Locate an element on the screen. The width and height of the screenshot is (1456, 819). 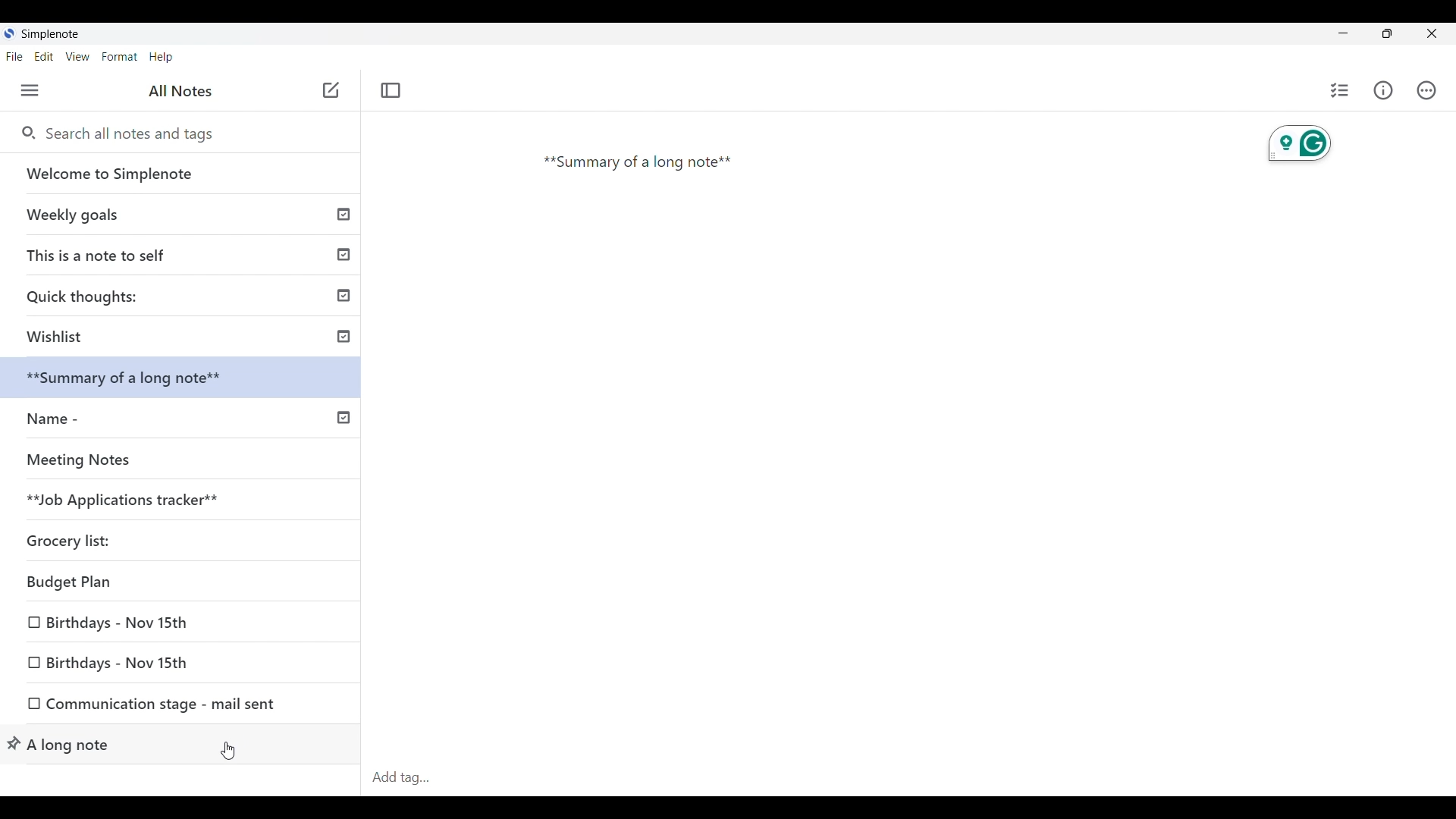
Communication stage - mail sent is located at coordinates (180, 706).